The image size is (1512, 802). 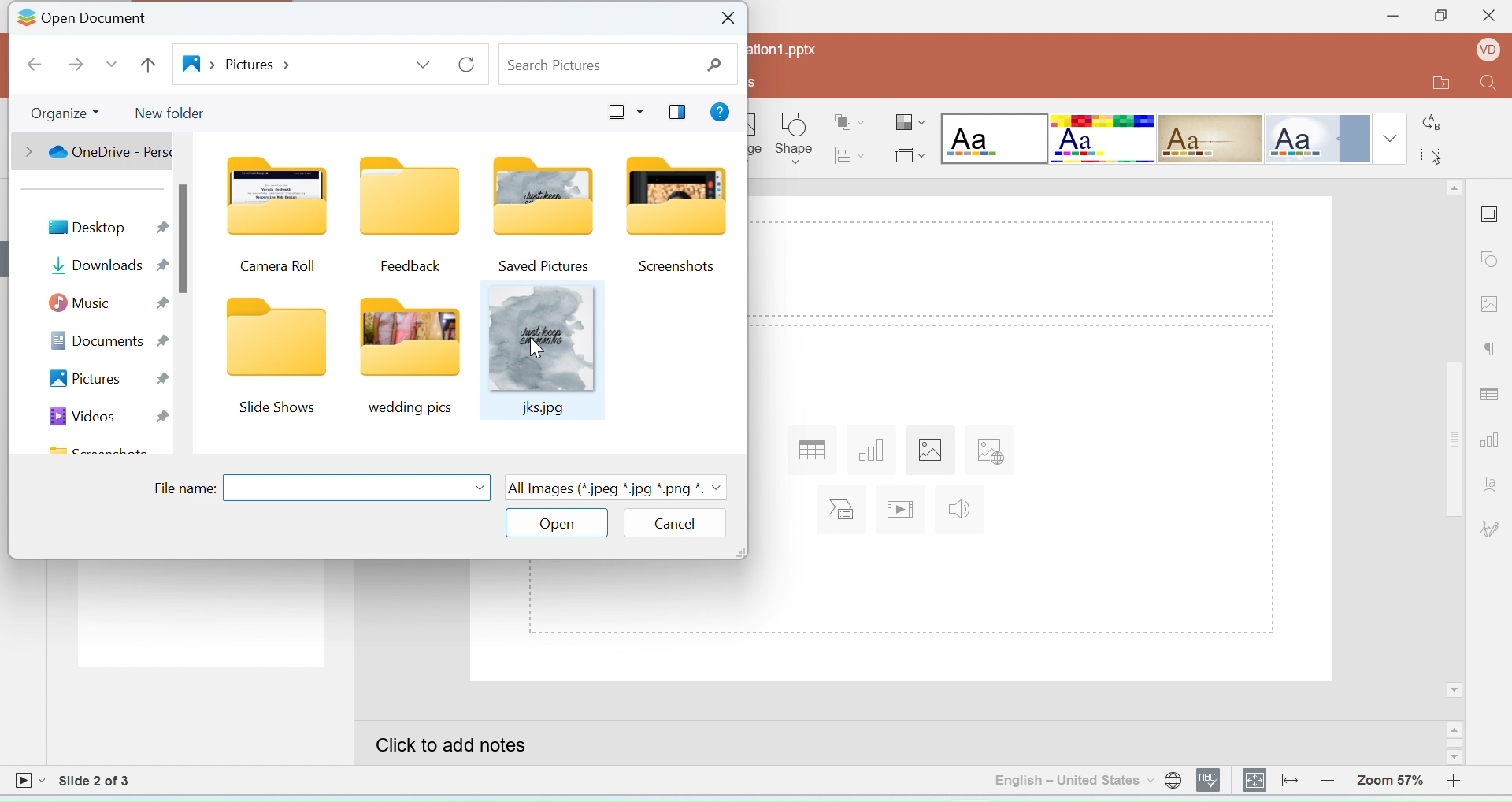 What do you see at coordinates (673, 215) in the screenshot?
I see `folder-4` at bounding box center [673, 215].